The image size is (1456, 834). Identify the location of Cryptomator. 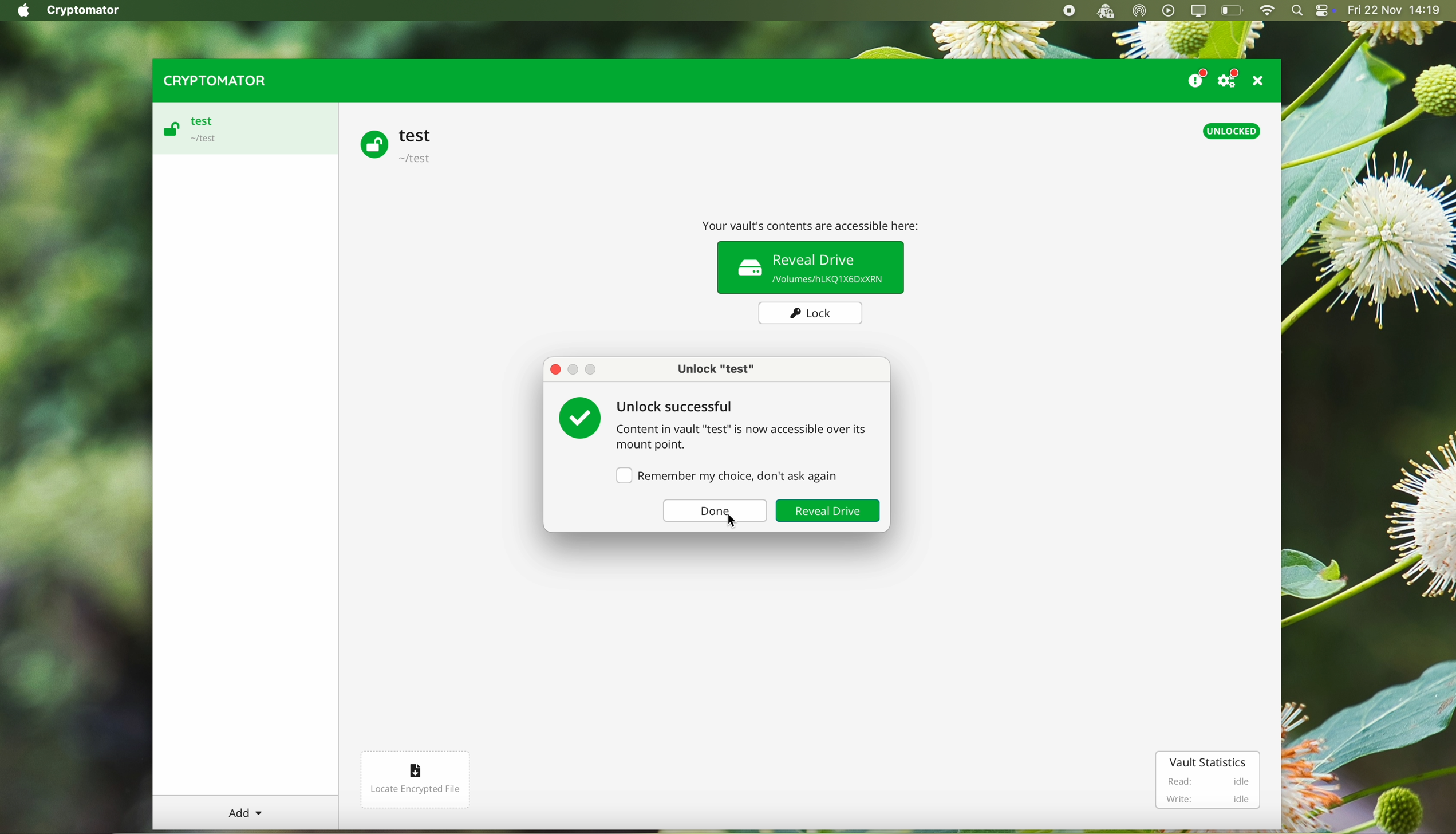
(85, 11).